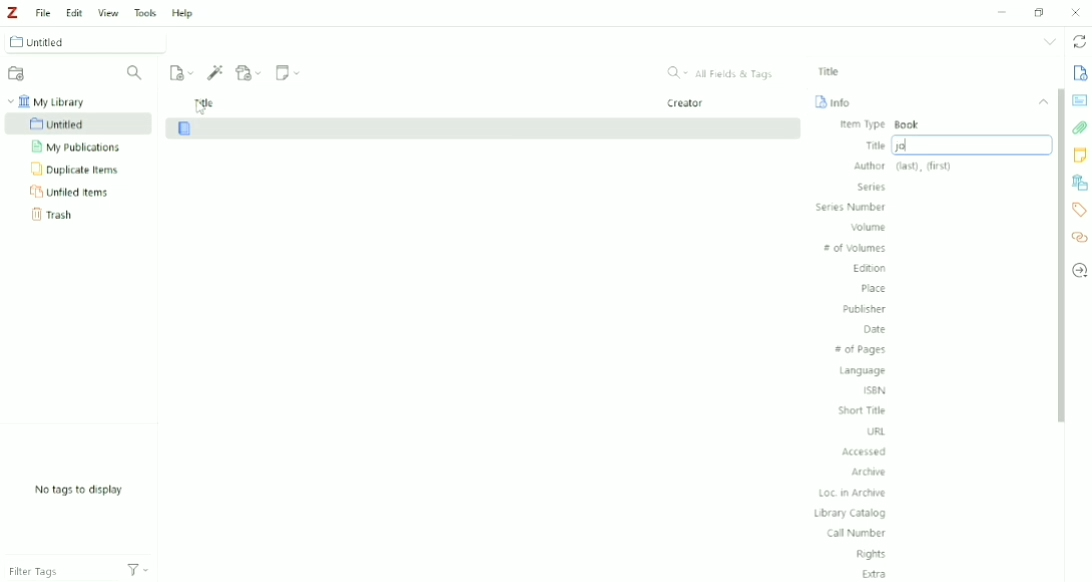 The width and height of the screenshot is (1092, 582). Describe the element at coordinates (250, 71) in the screenshot. I see `Add Attachment` at that location.